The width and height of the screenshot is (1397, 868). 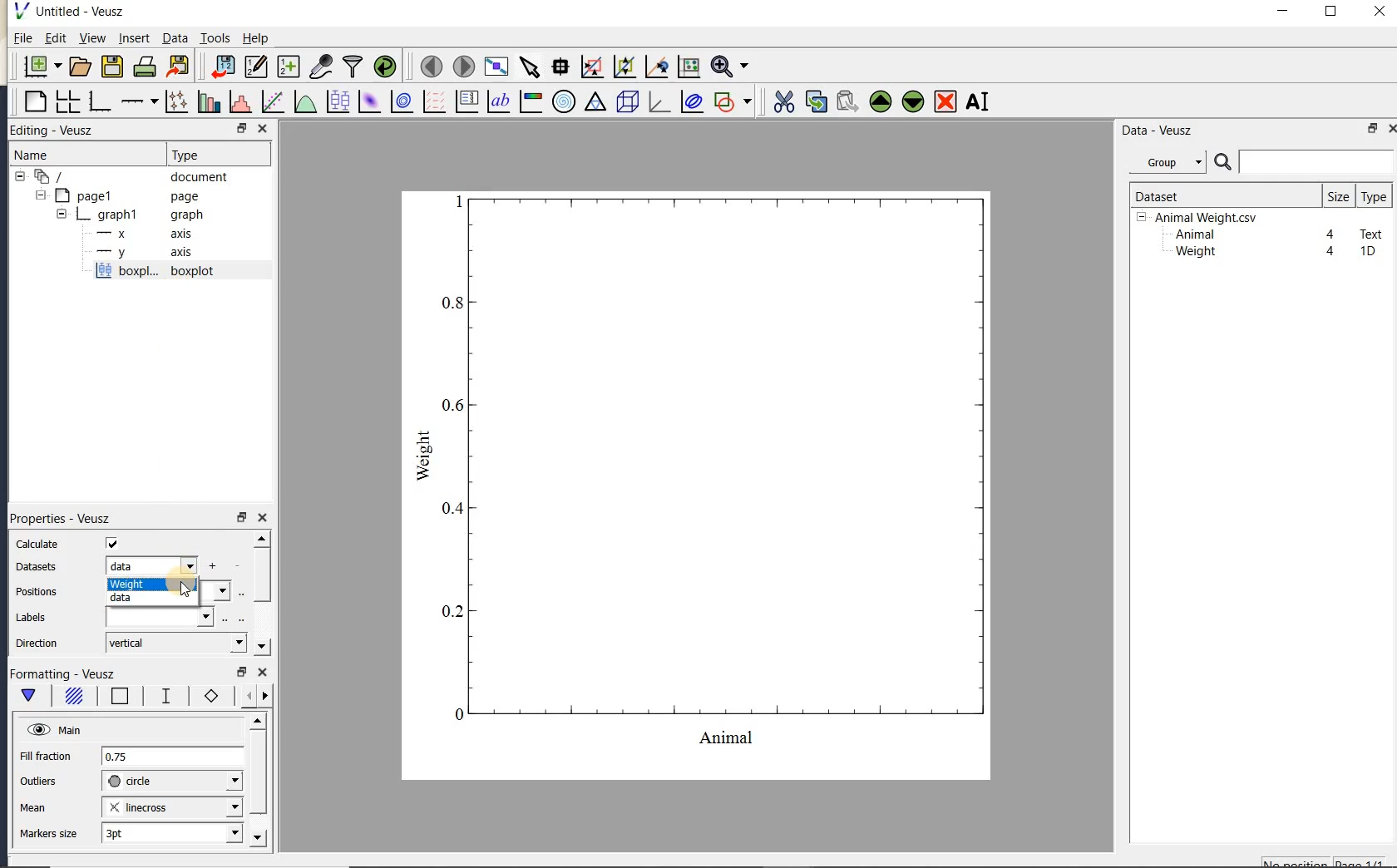 I want to click on markers size, so click(x=51, y=834).